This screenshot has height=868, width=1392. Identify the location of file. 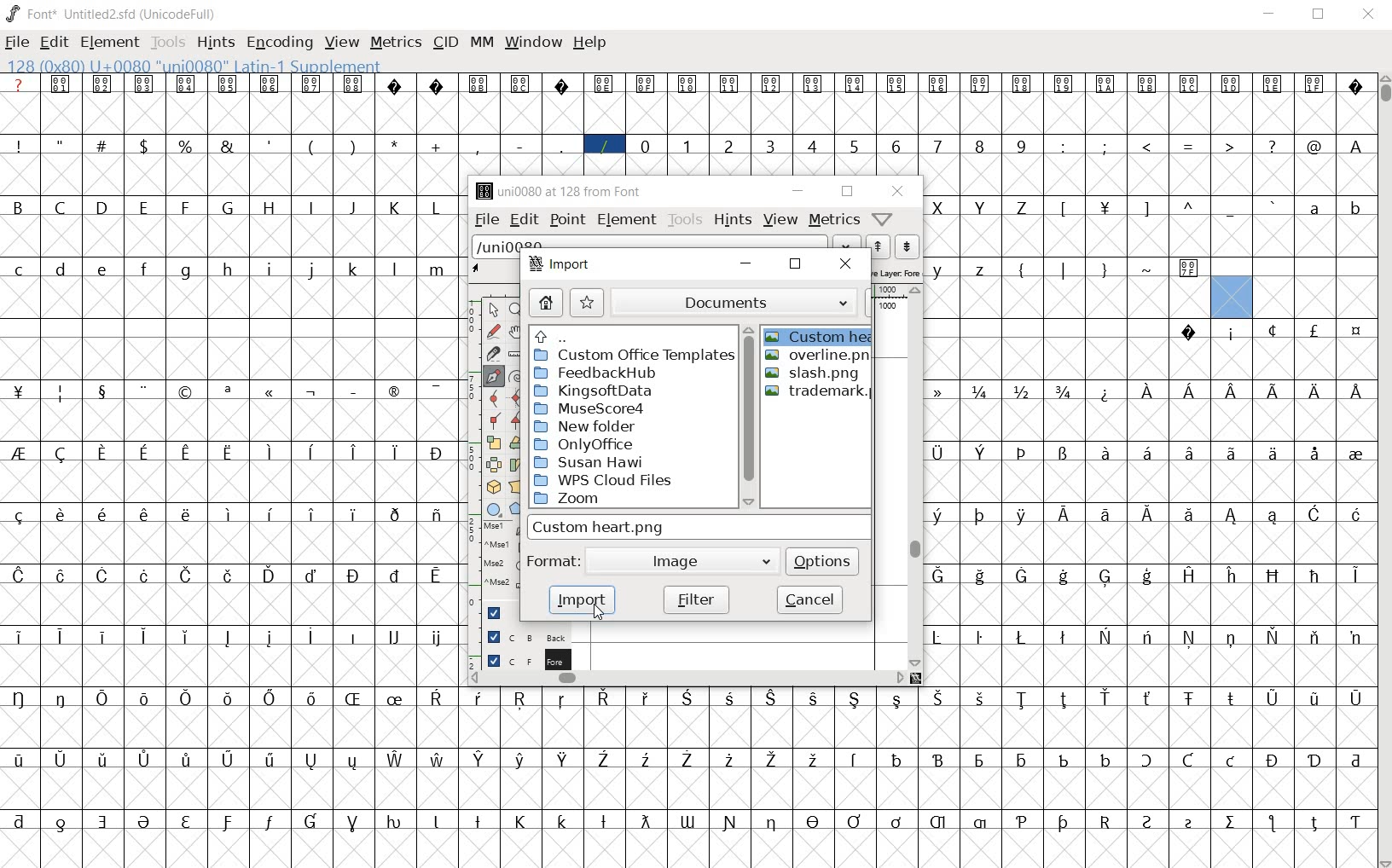
(481, 220).